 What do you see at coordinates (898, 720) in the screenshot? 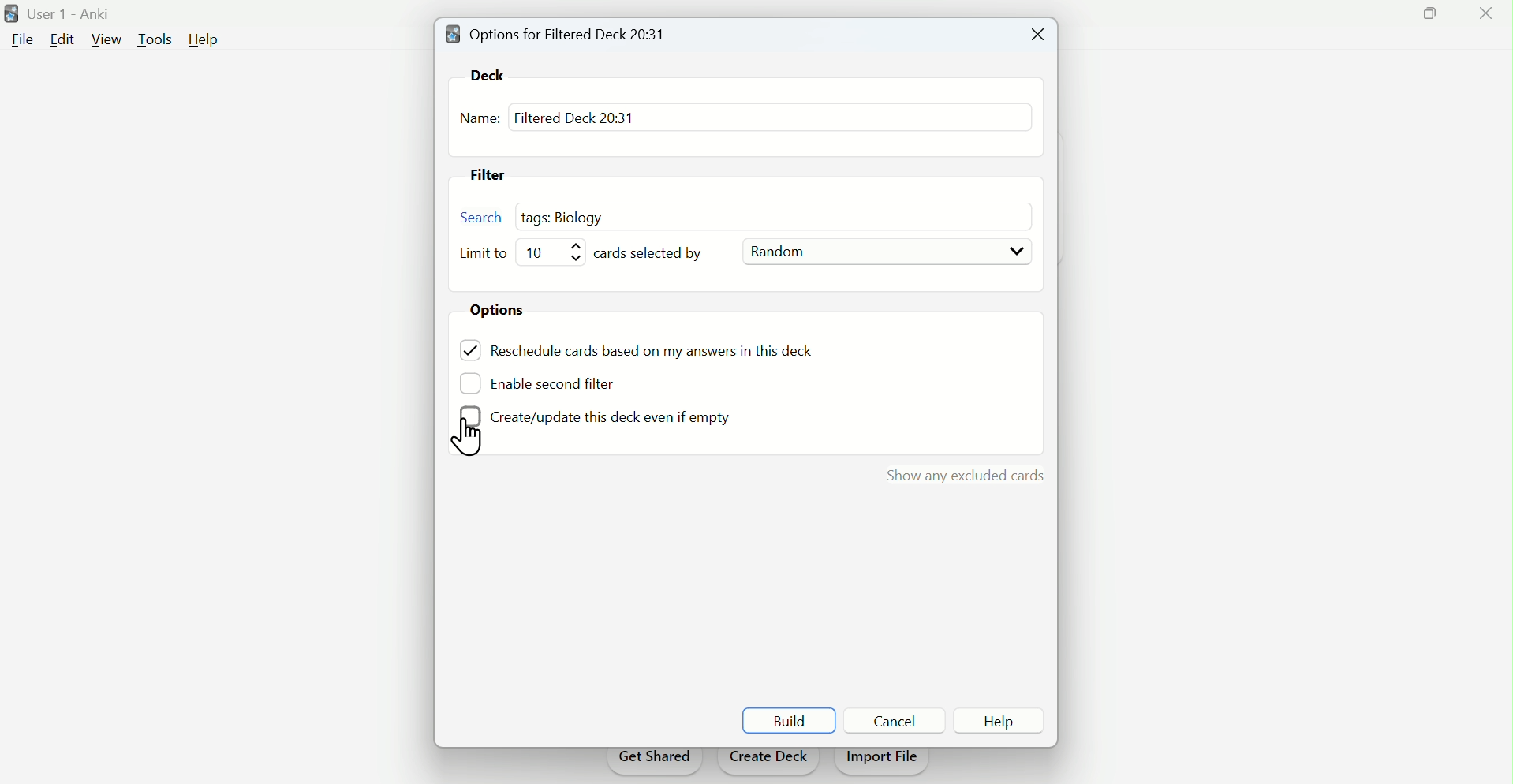
I see `` at bounding box center [898, 720].